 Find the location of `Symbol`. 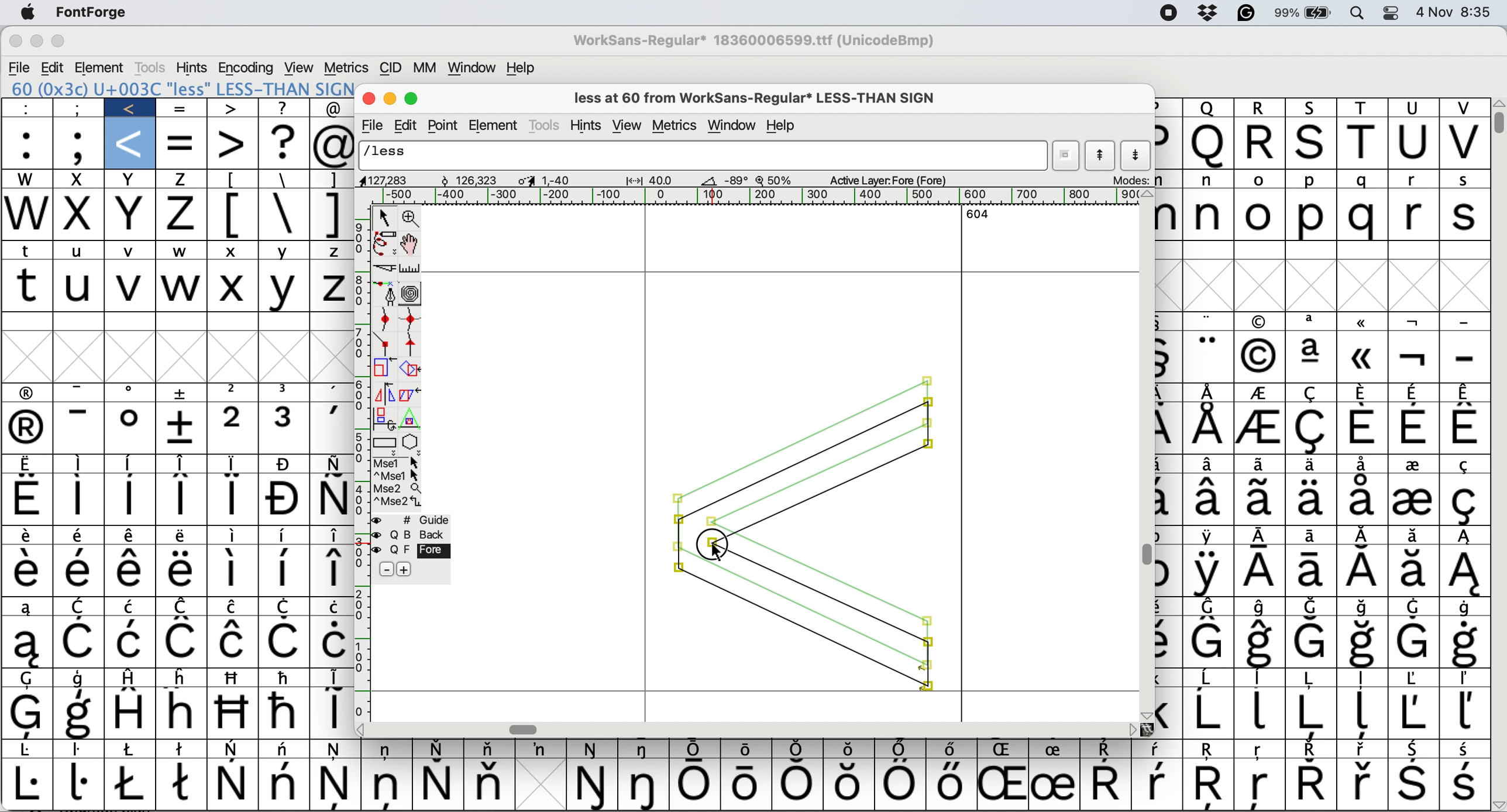

Symbol is located at coordinates (333, 463).